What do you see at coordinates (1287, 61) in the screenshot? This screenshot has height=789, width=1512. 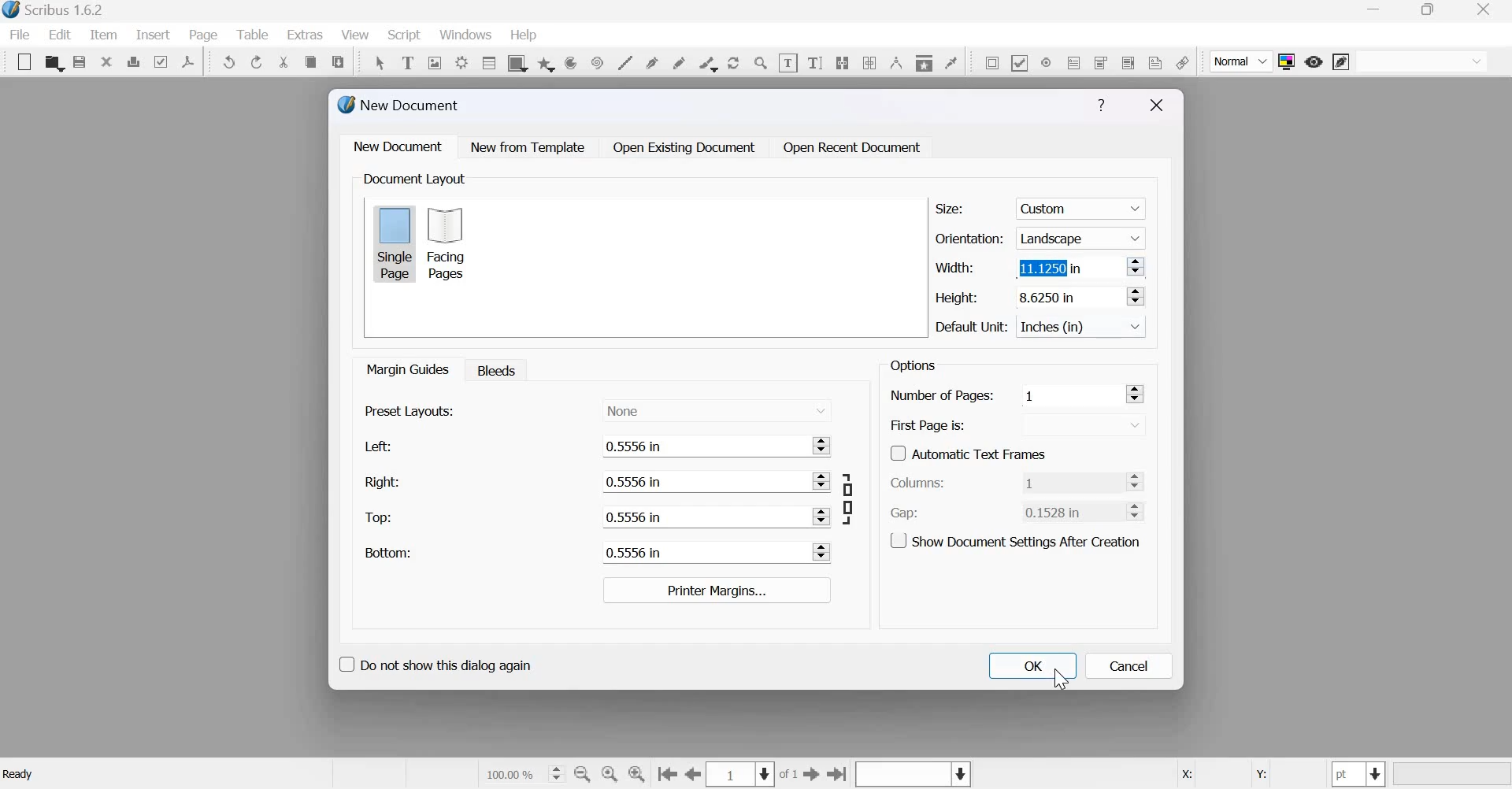 I see `Toggle color management system` at bounding box center [1287, 61].